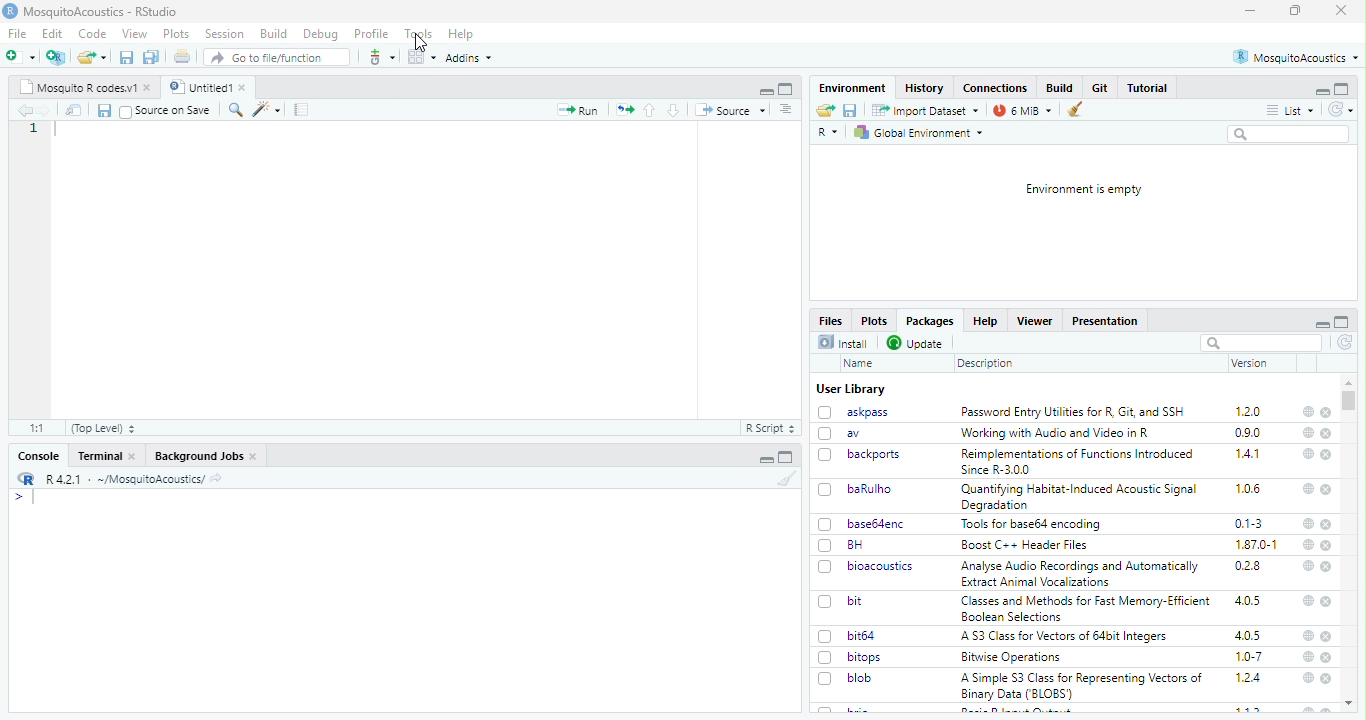 Image resolution: width=1366 pixels, height=720 pixels. Describe the element at coordinates (986, 365) in the screenshot. I see `Description` at that location.